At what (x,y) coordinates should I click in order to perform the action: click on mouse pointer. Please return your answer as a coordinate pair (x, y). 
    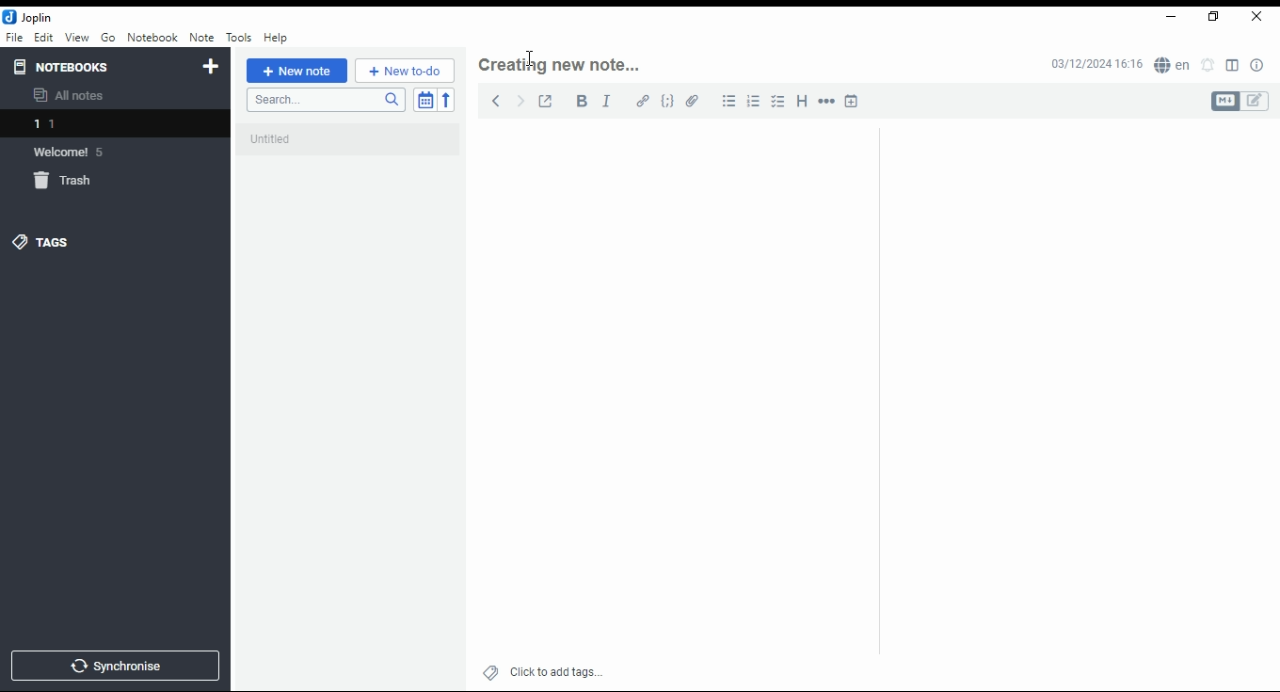
    Looking at the image, I should click on (527, 59).